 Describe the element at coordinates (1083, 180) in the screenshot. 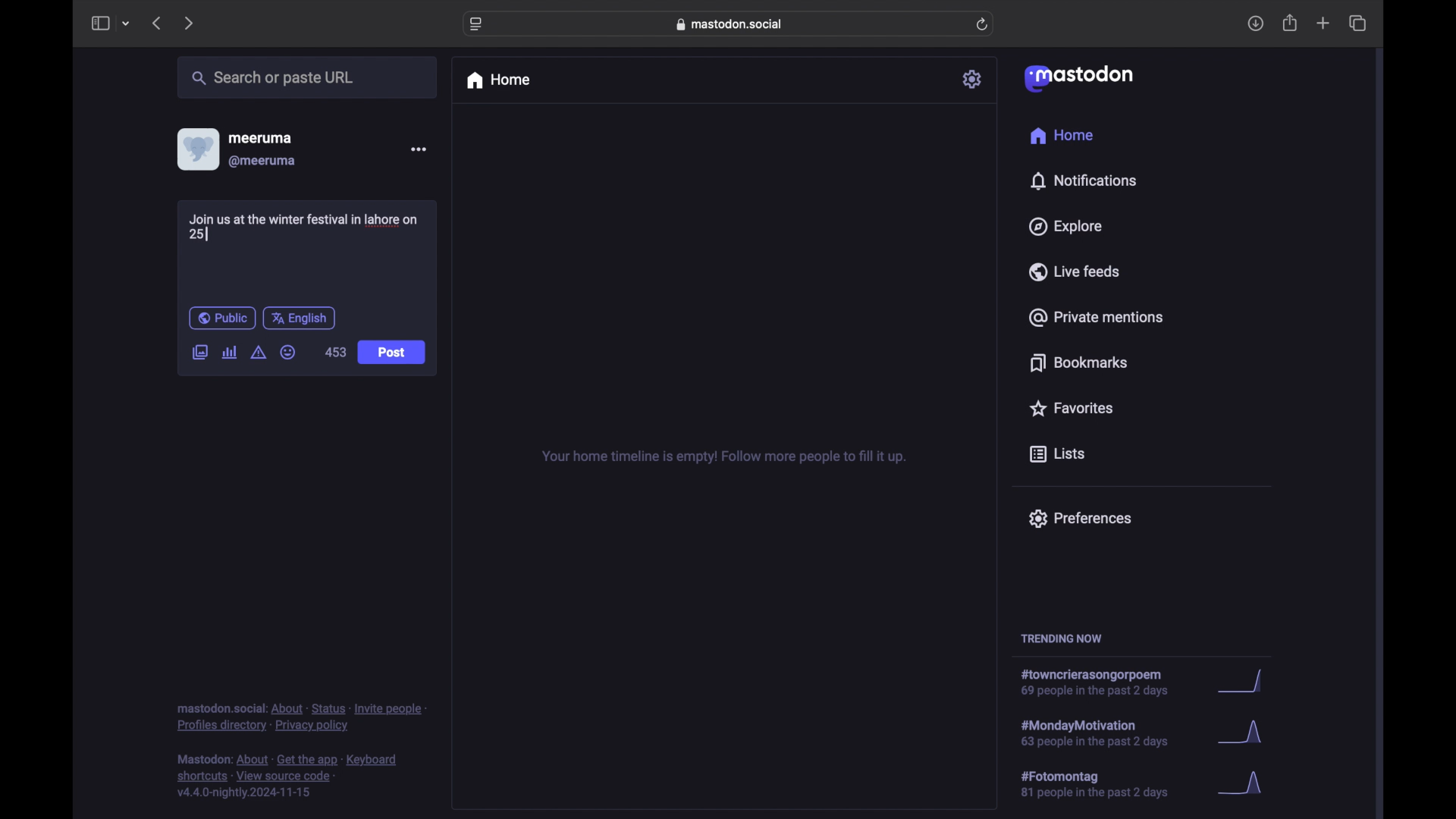

I see `notifications` at that location.